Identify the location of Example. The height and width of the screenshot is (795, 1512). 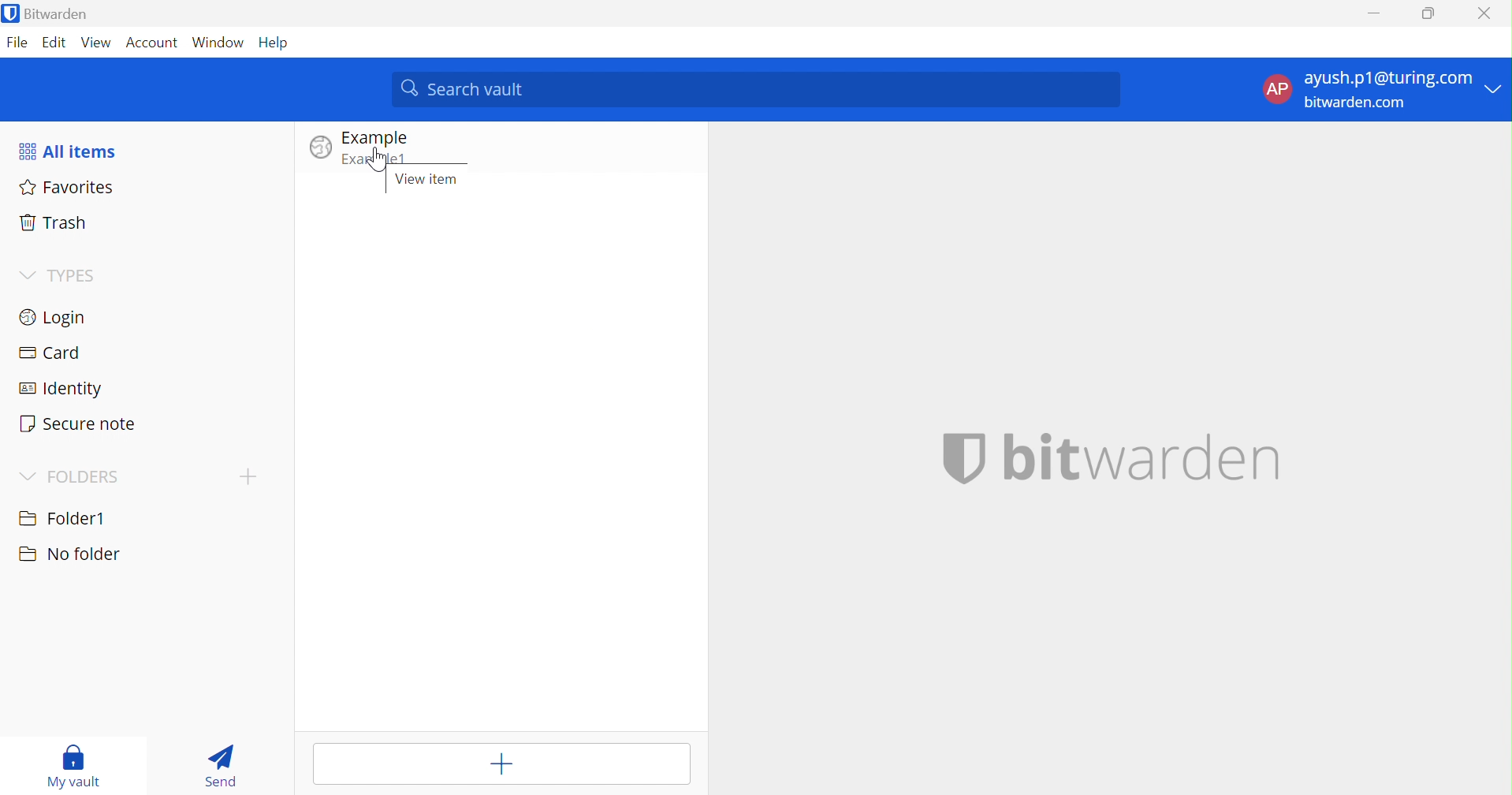
(378, 138).